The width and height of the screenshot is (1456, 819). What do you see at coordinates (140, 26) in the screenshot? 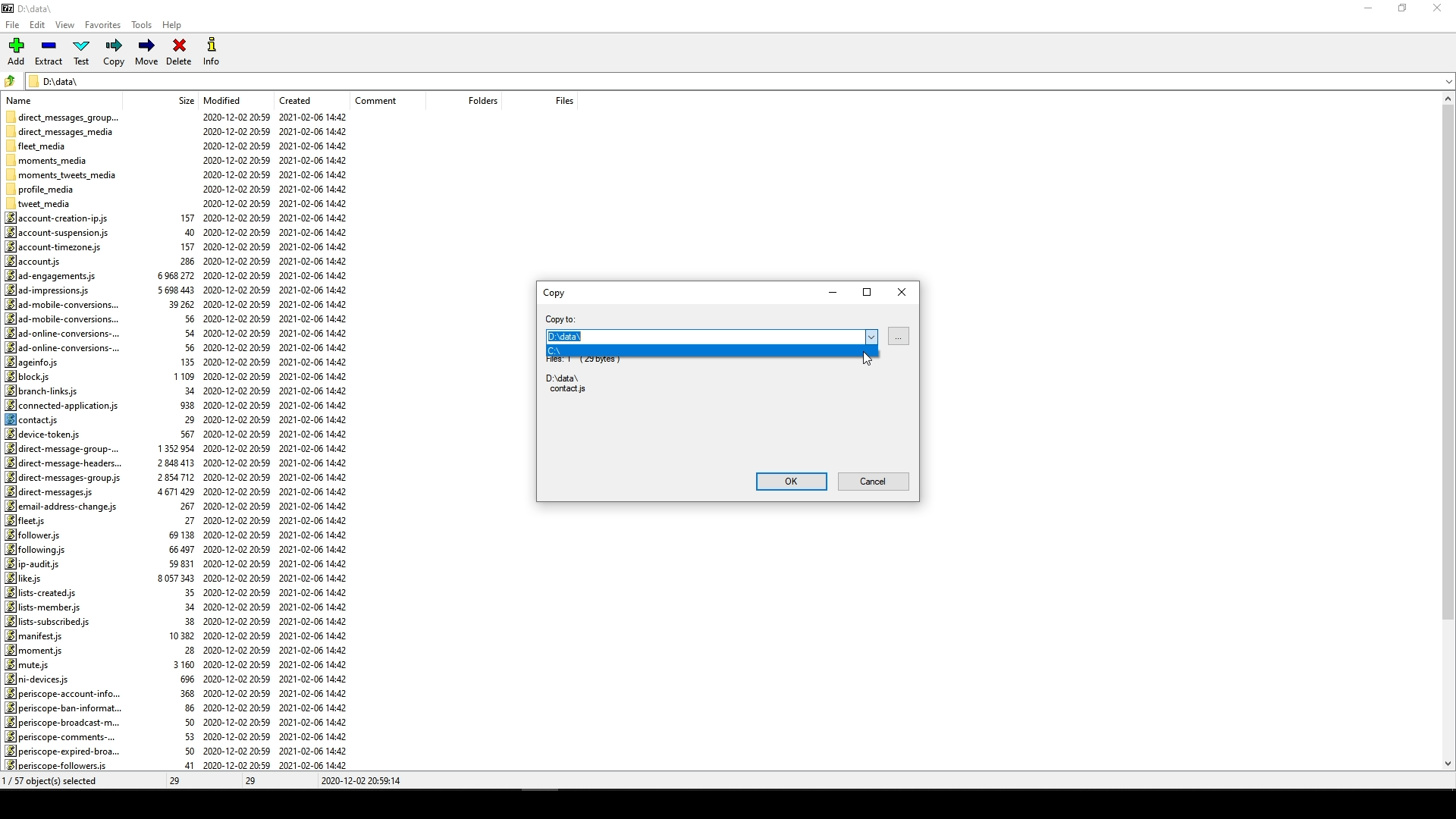
I see `Tools` at bounding box center [140, 26].